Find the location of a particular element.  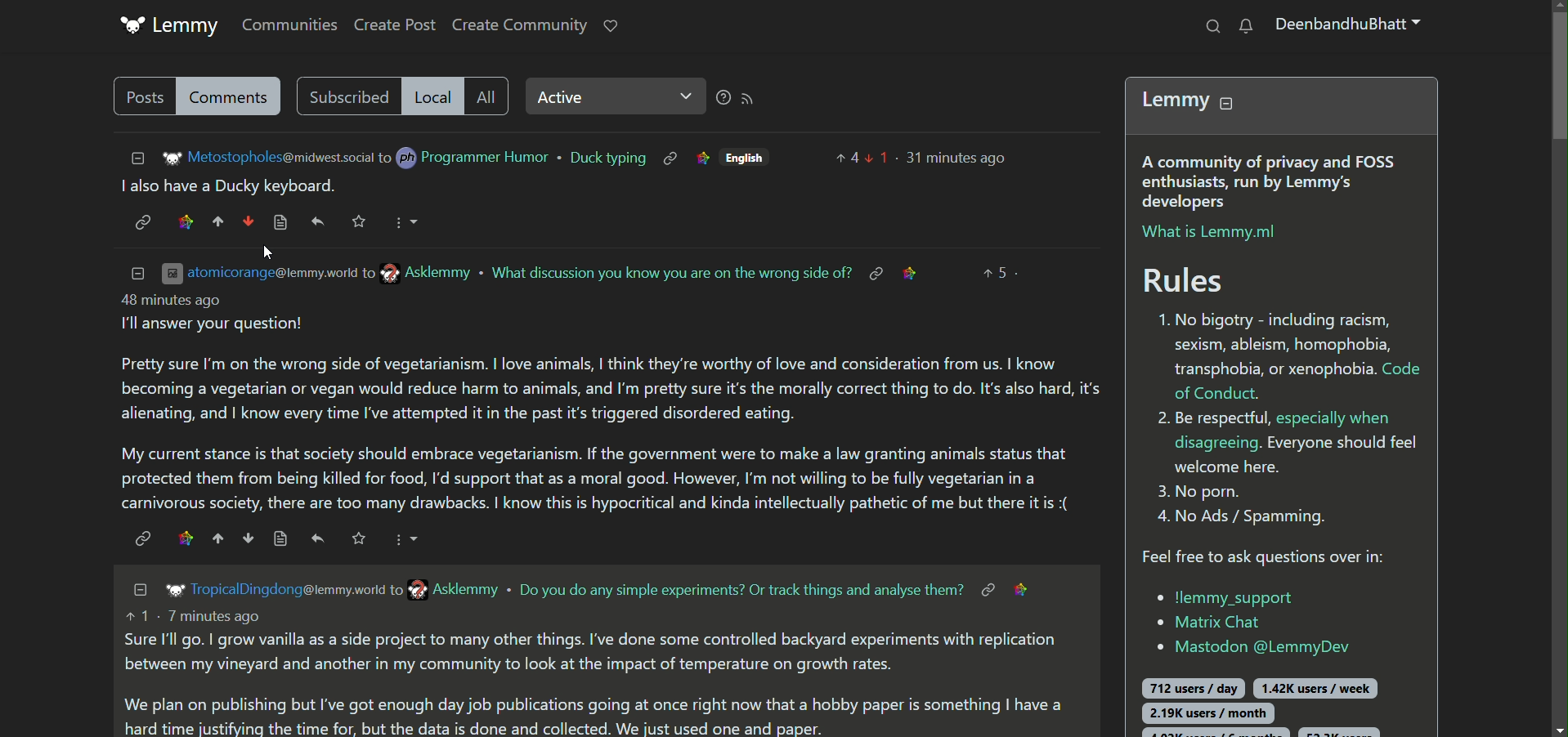

hyperlink is located at coordinates (141, 538).